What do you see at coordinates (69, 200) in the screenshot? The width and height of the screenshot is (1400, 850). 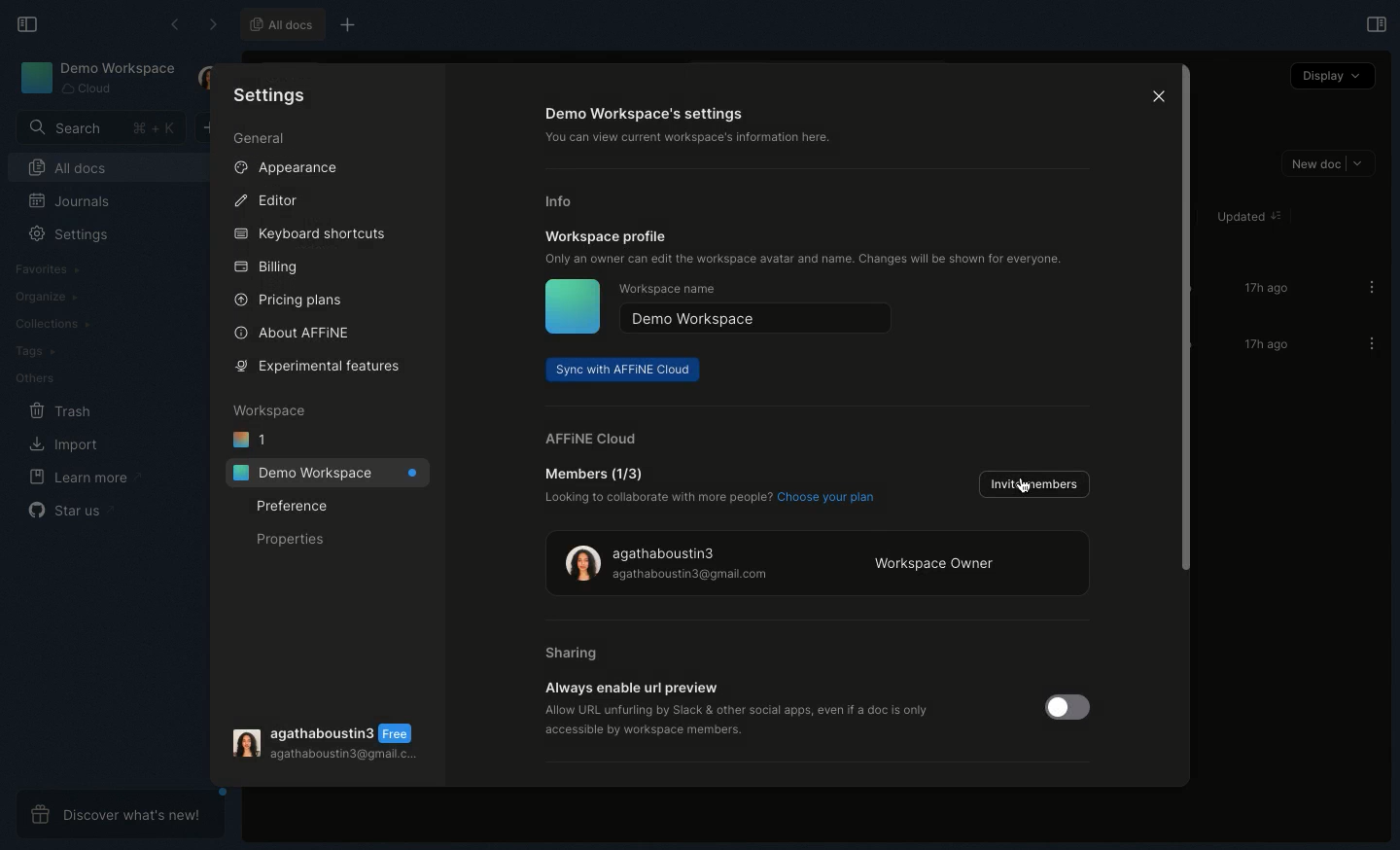 I see `Journals` at bounding box center [69, 200].